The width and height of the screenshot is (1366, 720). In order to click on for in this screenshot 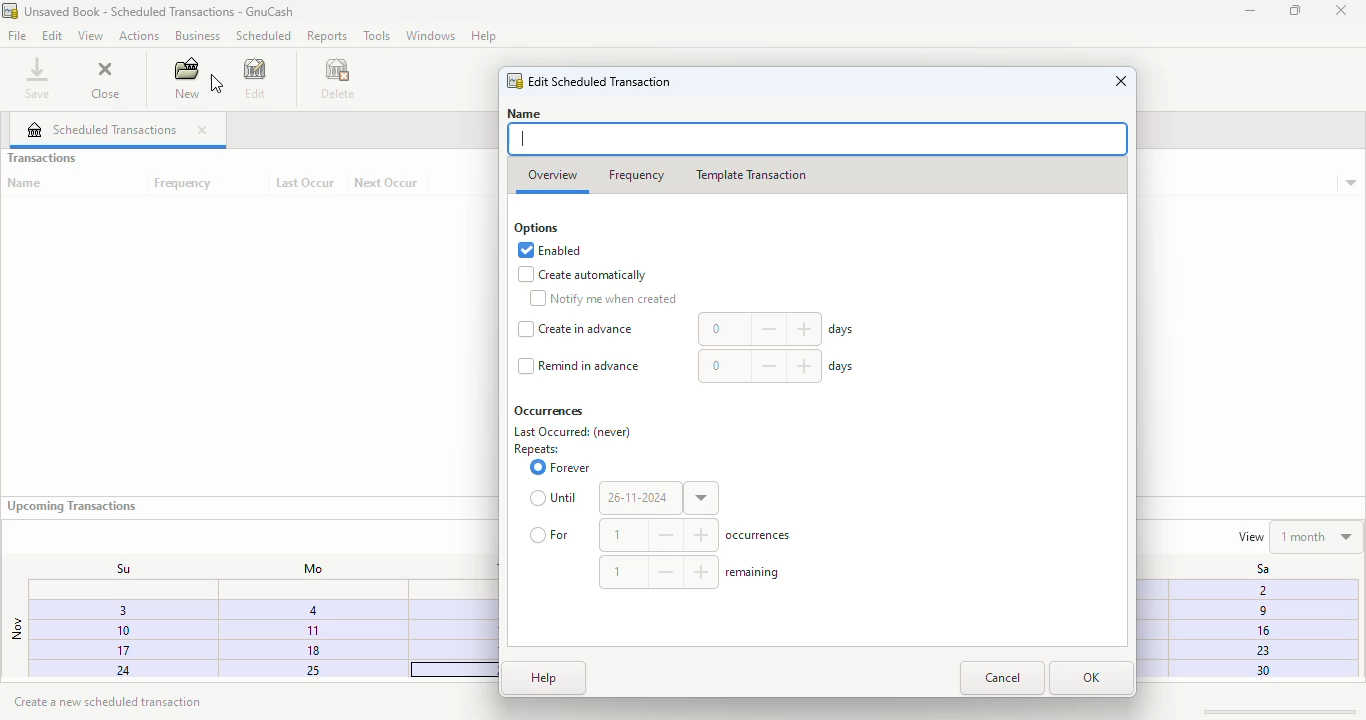, I will do `click(551, 534)`.